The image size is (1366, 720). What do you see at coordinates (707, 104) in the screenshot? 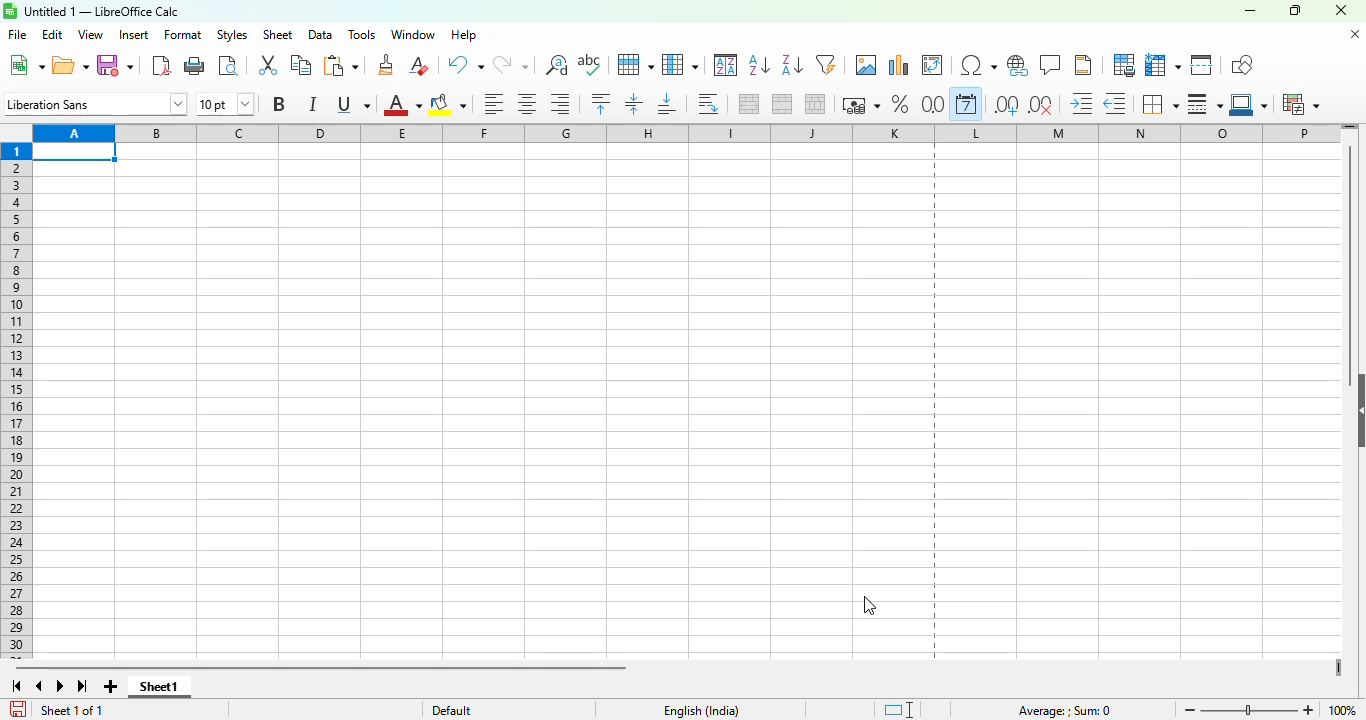
I see `wrap text` at bounding box center [707, 104].